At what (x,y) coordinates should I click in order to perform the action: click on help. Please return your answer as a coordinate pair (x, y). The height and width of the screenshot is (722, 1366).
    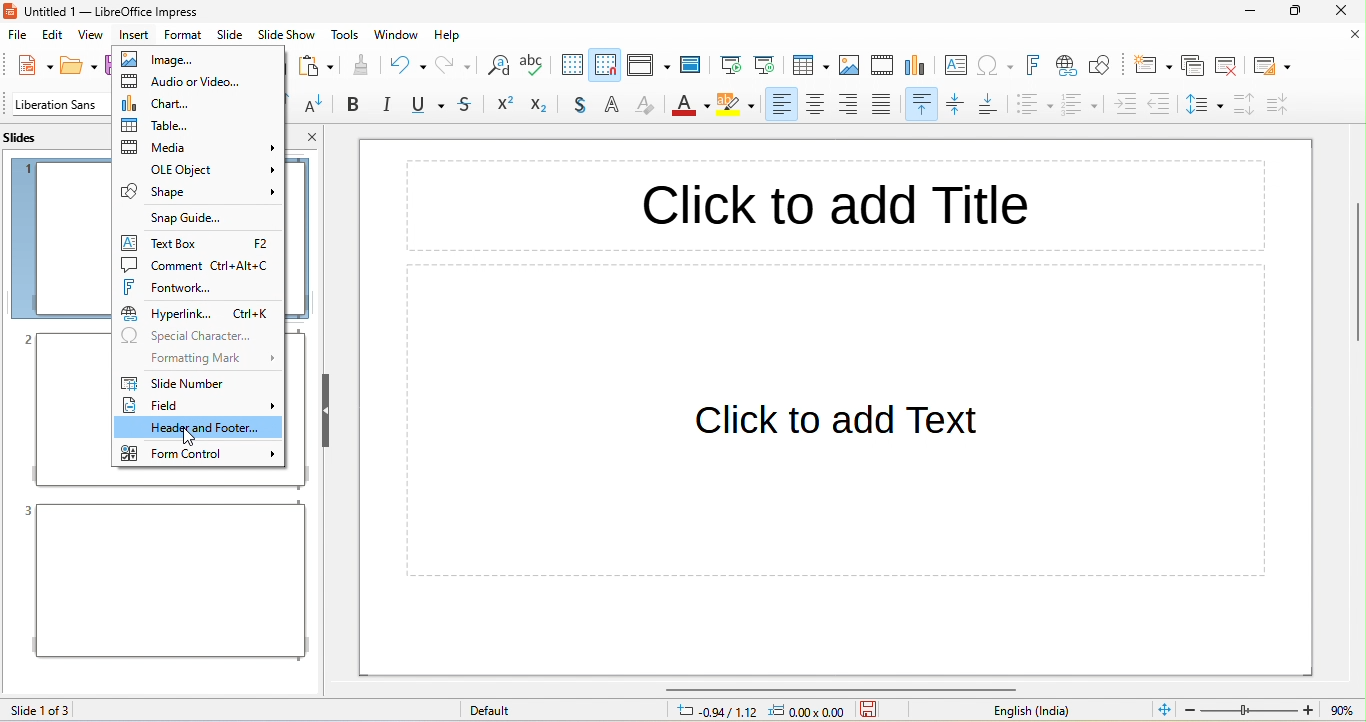
    Looking at the image, I should click on (448, 36).